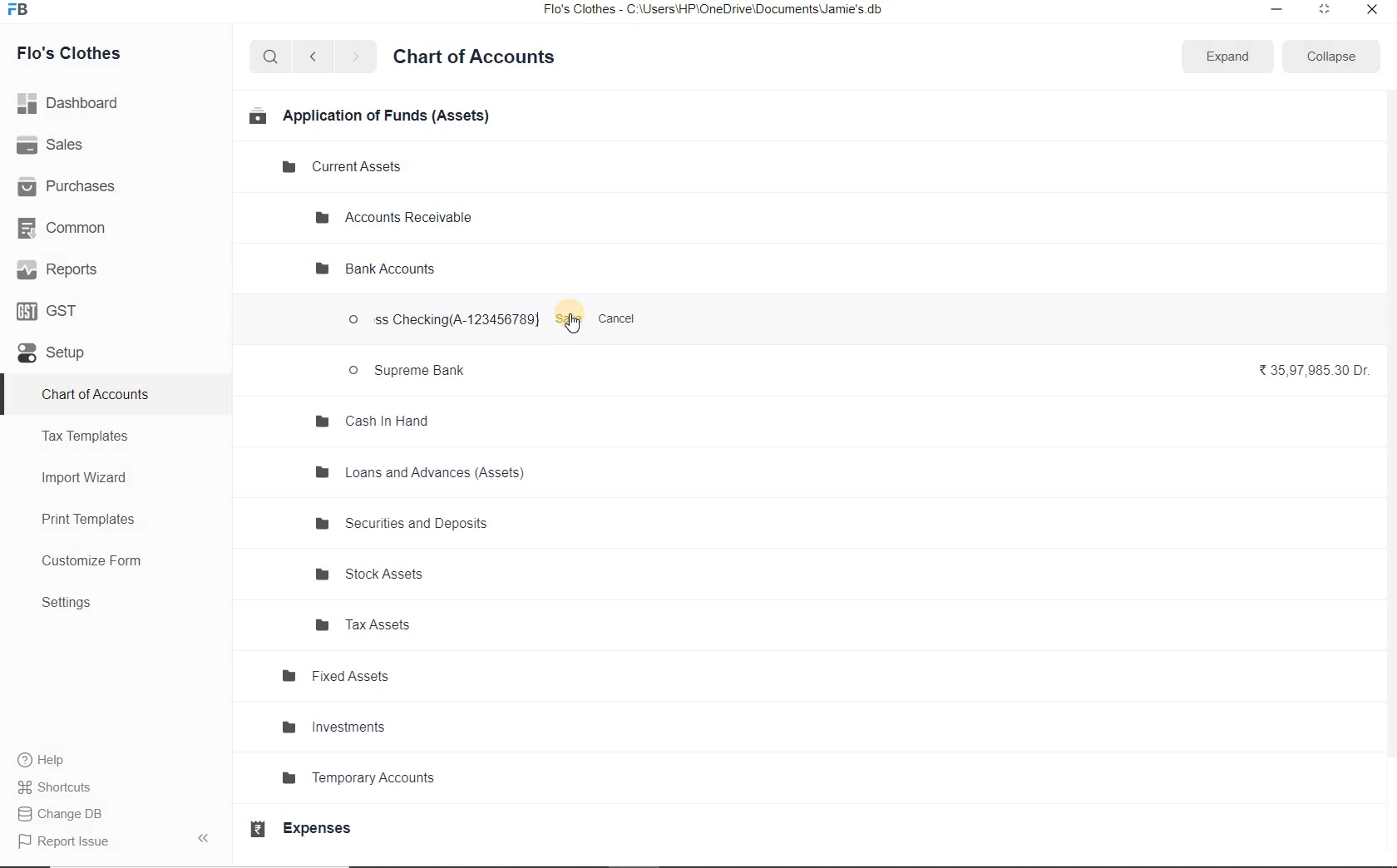 This screenshot has width=1397, height=868. What do you see at coordinates (369, 726) in the screenshot?
I see `Investments` at bounding box center [369, 726].